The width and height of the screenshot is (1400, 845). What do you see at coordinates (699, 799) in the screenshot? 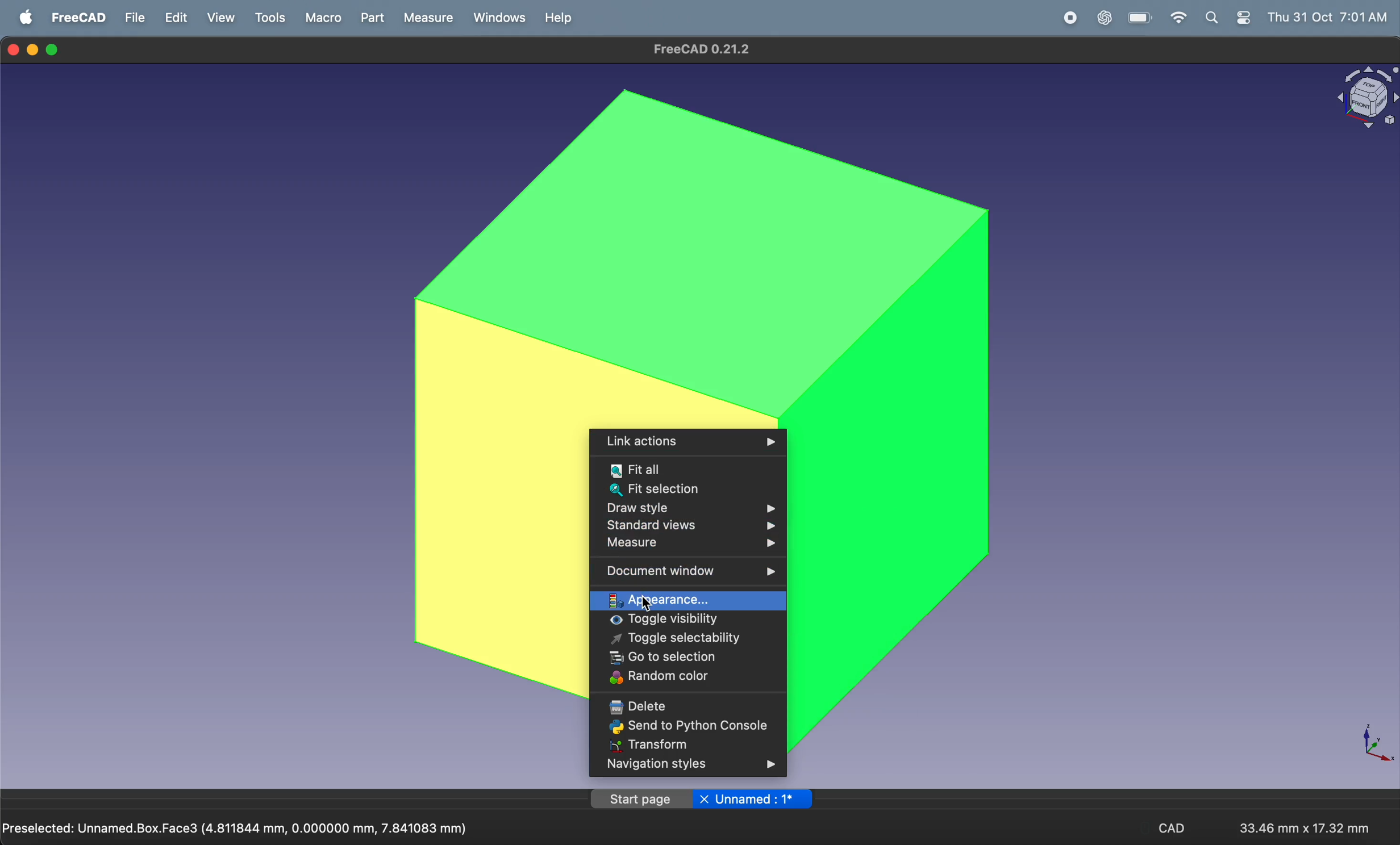
I see `page name` at bounding box center [699, 799].